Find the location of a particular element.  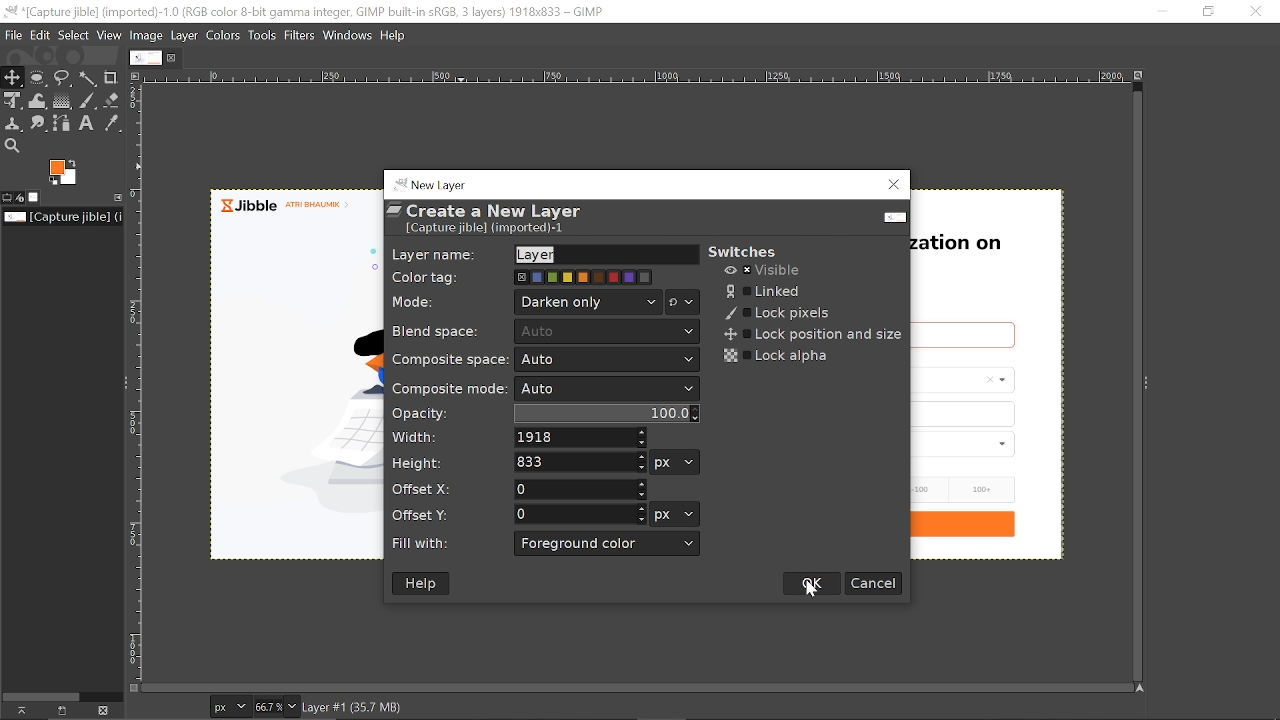

Current image is located at coordinates (64, 217).